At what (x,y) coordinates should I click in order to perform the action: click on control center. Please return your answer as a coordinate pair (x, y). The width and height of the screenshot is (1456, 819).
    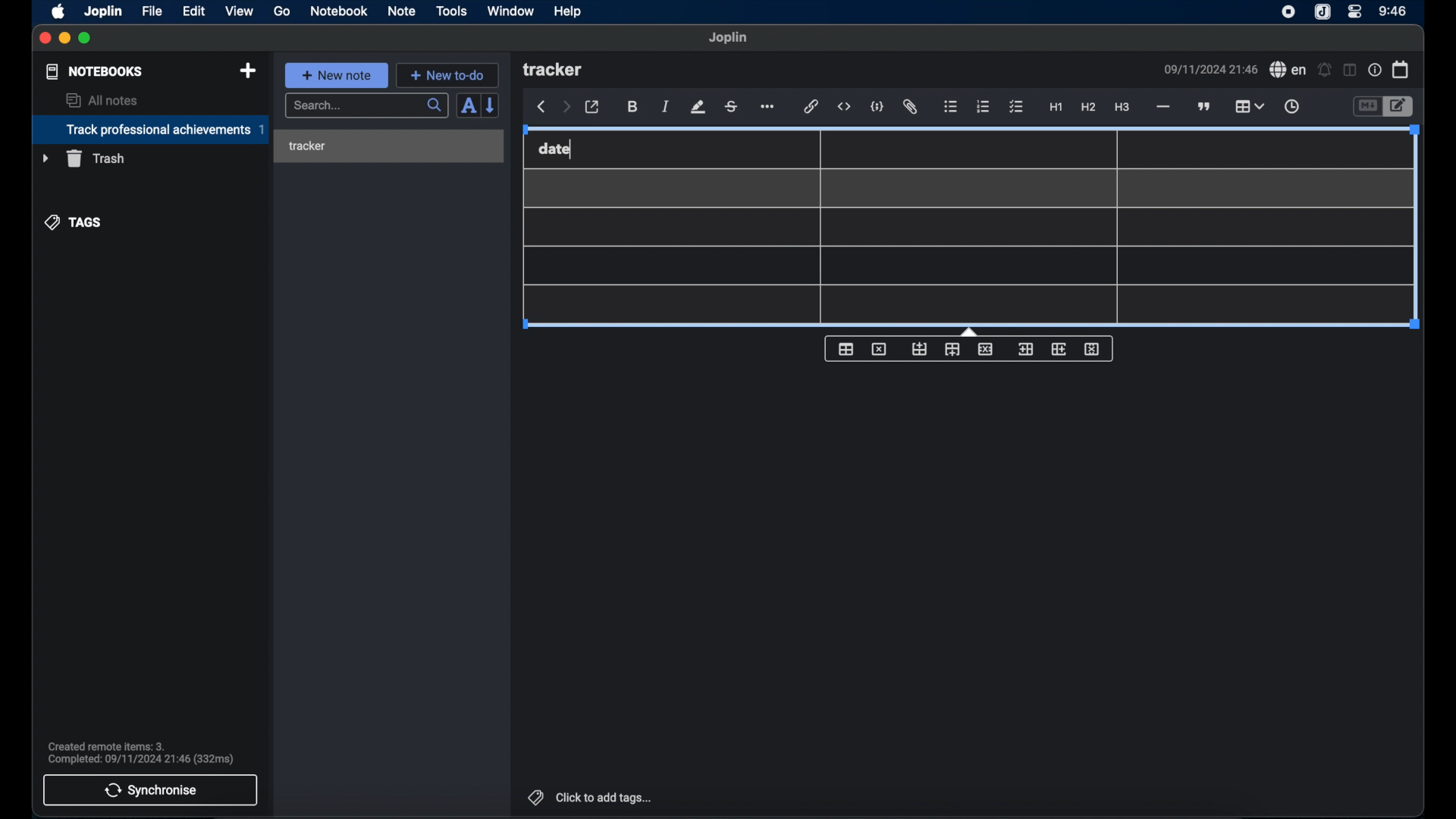
    Looking at the image, I should click on (1355, 12).